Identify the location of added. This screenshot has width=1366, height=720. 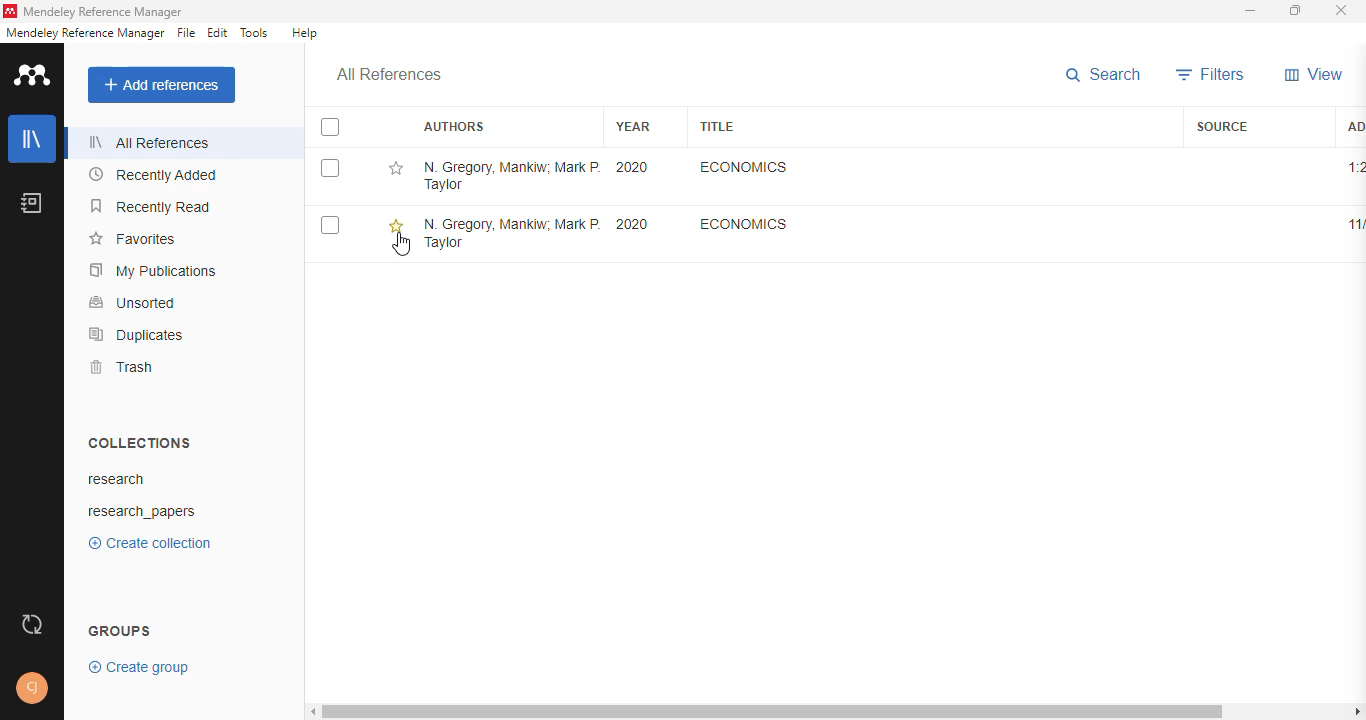
(1356, 127).